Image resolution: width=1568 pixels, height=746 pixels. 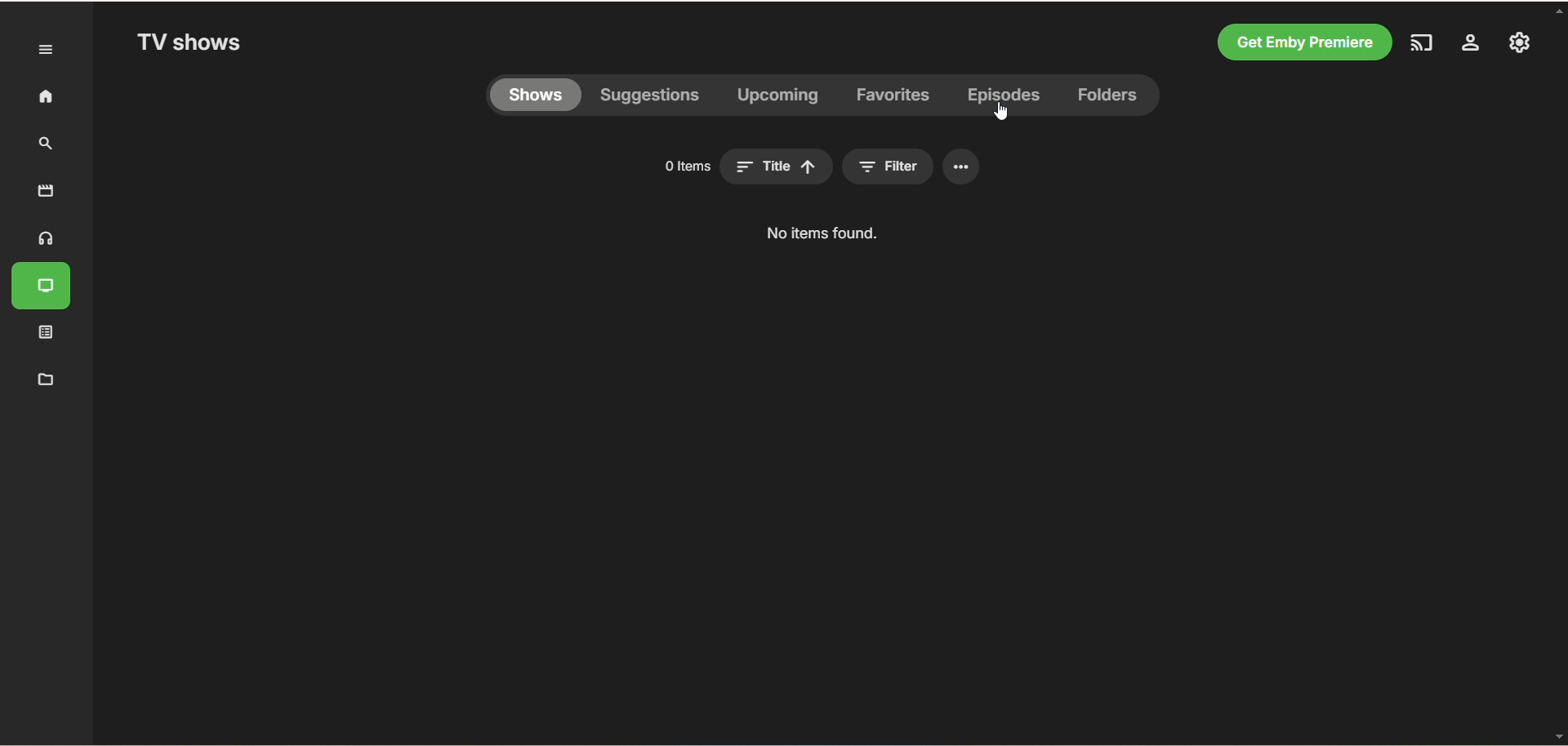 What do you see at coordinates (48, 240) in the screenshot?
I see `music` at bounding box center [48, 240].